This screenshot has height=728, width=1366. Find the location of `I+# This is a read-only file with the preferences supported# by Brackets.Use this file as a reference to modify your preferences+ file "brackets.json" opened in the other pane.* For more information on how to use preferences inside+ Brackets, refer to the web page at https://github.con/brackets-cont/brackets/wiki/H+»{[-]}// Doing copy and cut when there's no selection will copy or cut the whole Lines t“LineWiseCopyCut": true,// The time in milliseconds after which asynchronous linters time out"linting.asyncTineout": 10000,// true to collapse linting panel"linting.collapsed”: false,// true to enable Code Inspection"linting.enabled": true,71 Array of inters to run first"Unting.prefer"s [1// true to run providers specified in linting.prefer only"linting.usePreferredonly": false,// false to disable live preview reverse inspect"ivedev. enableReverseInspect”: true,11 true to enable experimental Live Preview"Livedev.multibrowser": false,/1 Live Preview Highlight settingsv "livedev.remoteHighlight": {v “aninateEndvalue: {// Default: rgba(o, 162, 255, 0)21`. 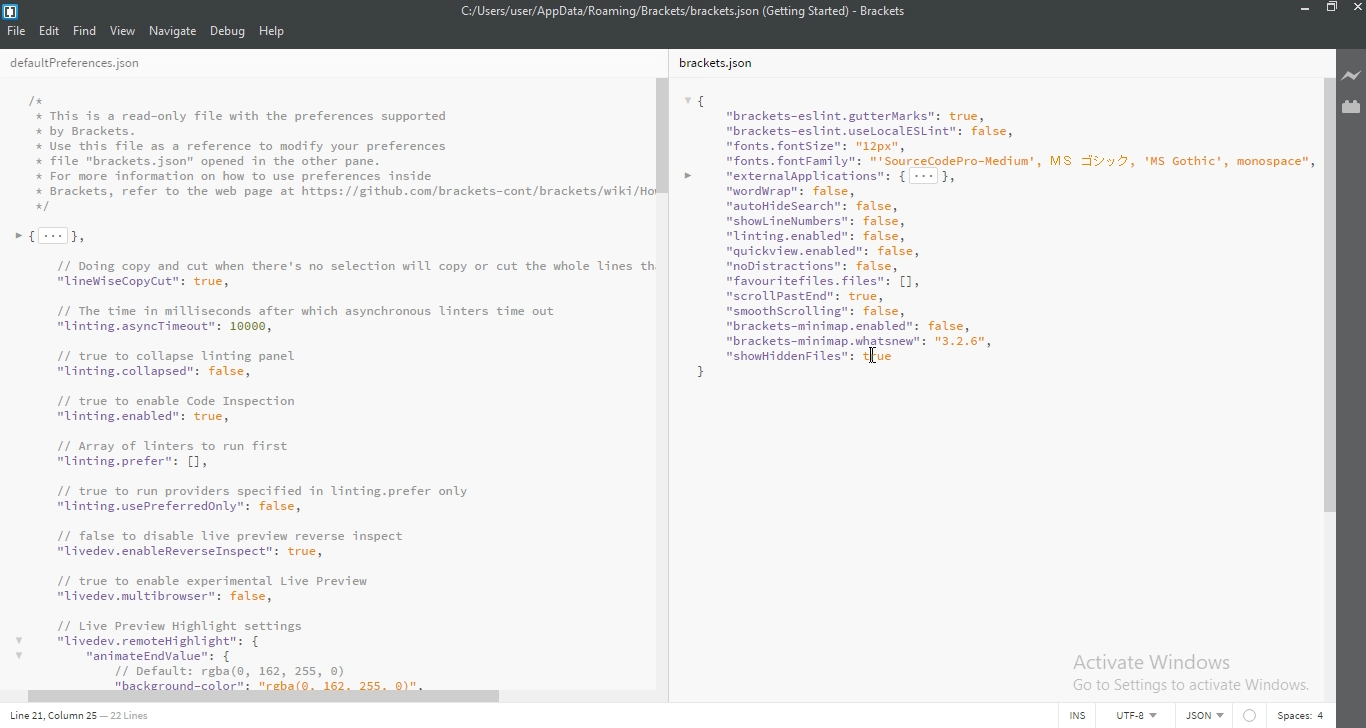

I+# This is a read-only file with the preferences supported# by Brackets.Use this file as a reference to modify your preferences+ file "brackets.json" opened in the other pane.* For more information on how to use preferences inside+ Brackets, refer to the web page at https://github.con/brackets-cont/brackets/wiki/H+»{[-]}// Doing copy and cut when there's no selection will copy or cut the whole Lines t“LineWiseCopyCut": true,// The time in milliseconds after which asynchronous linters time out"linting.asyncTineout": 10000,// true to collapse linting panel"linting.collapsed”: false,// true to enable Code Inspection"linting.enabled": true,71 Array of inters to run first"Unting.prefer"s [1// true to run providers specified in linting.prefer only"linting.usePreferredonly": false,// false to disable live preview reverse inspect"ivedev. enableReverseInspect”: true,11 true to enable experimental Live Preview"Livedev.multibrowser": false,/1 Live Preview Highlight settingsv "livedev.remoteHighlight": {v “aninateEndvalue: {// Default: rgba(o, 162, 255, 0)21 is located at coordinates (327, 385).